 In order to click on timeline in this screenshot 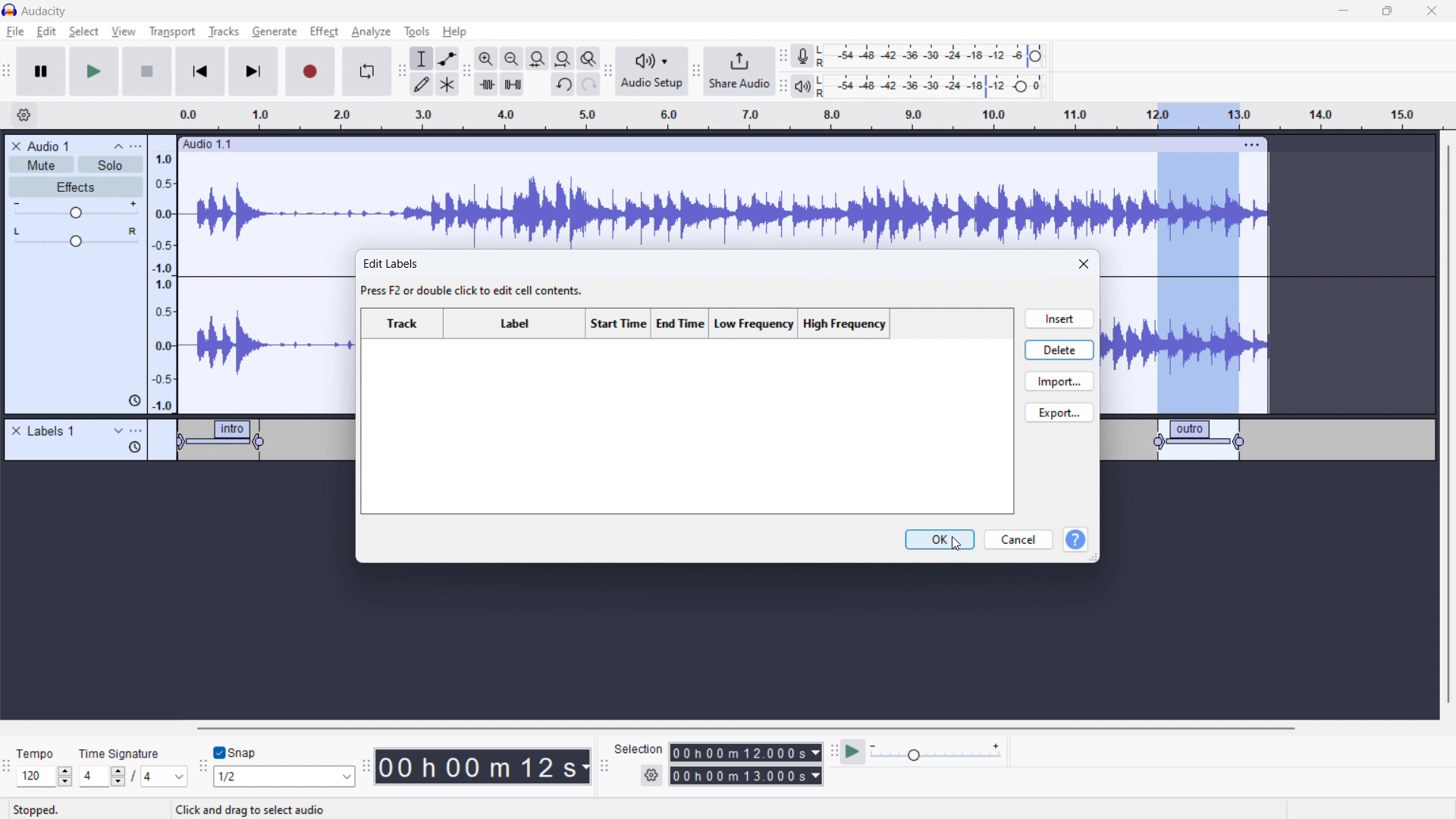, I will do `click(724, 636)`.